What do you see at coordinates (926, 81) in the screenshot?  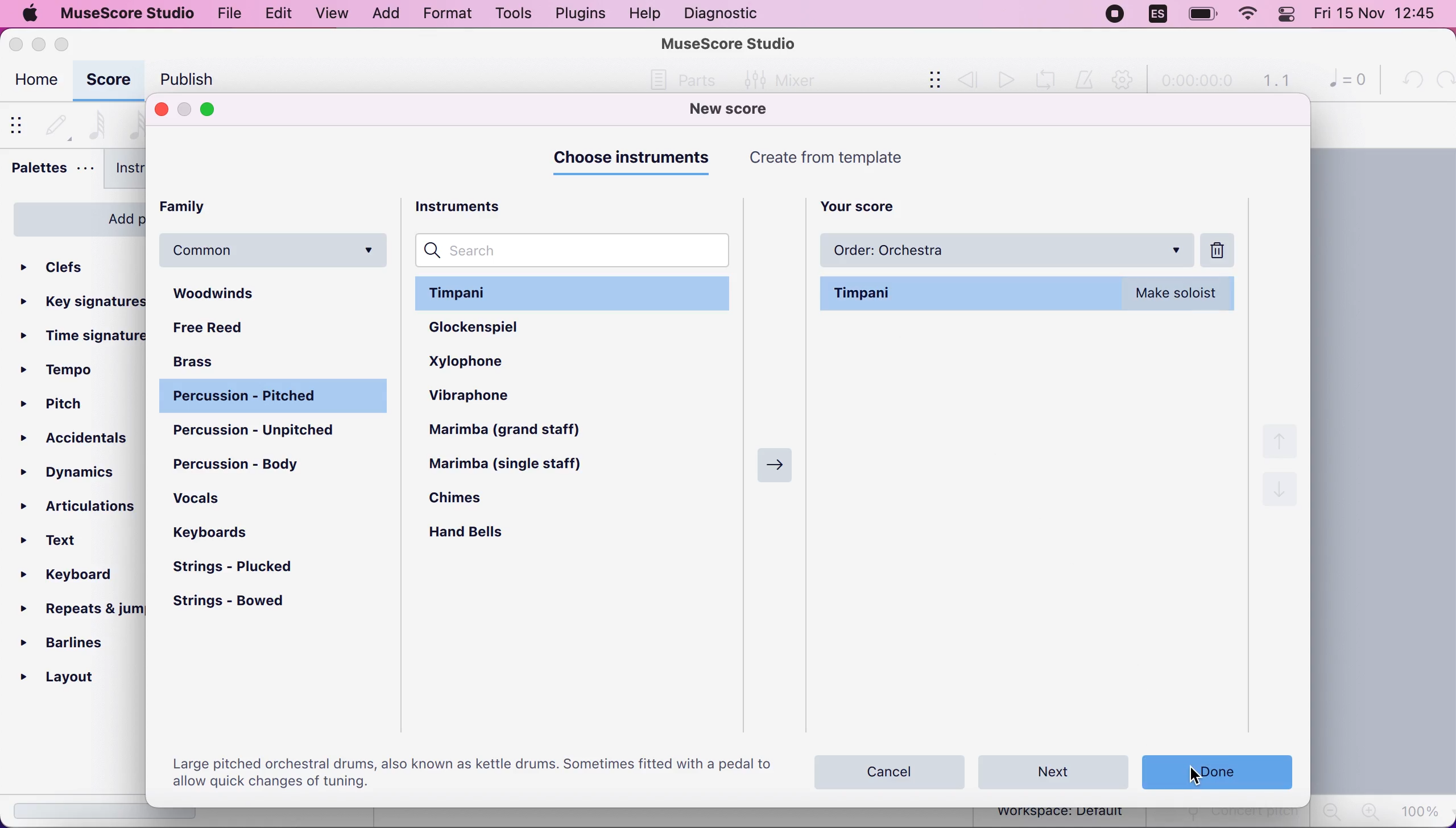 I see `show/hide` at bounding box center [926, 81].